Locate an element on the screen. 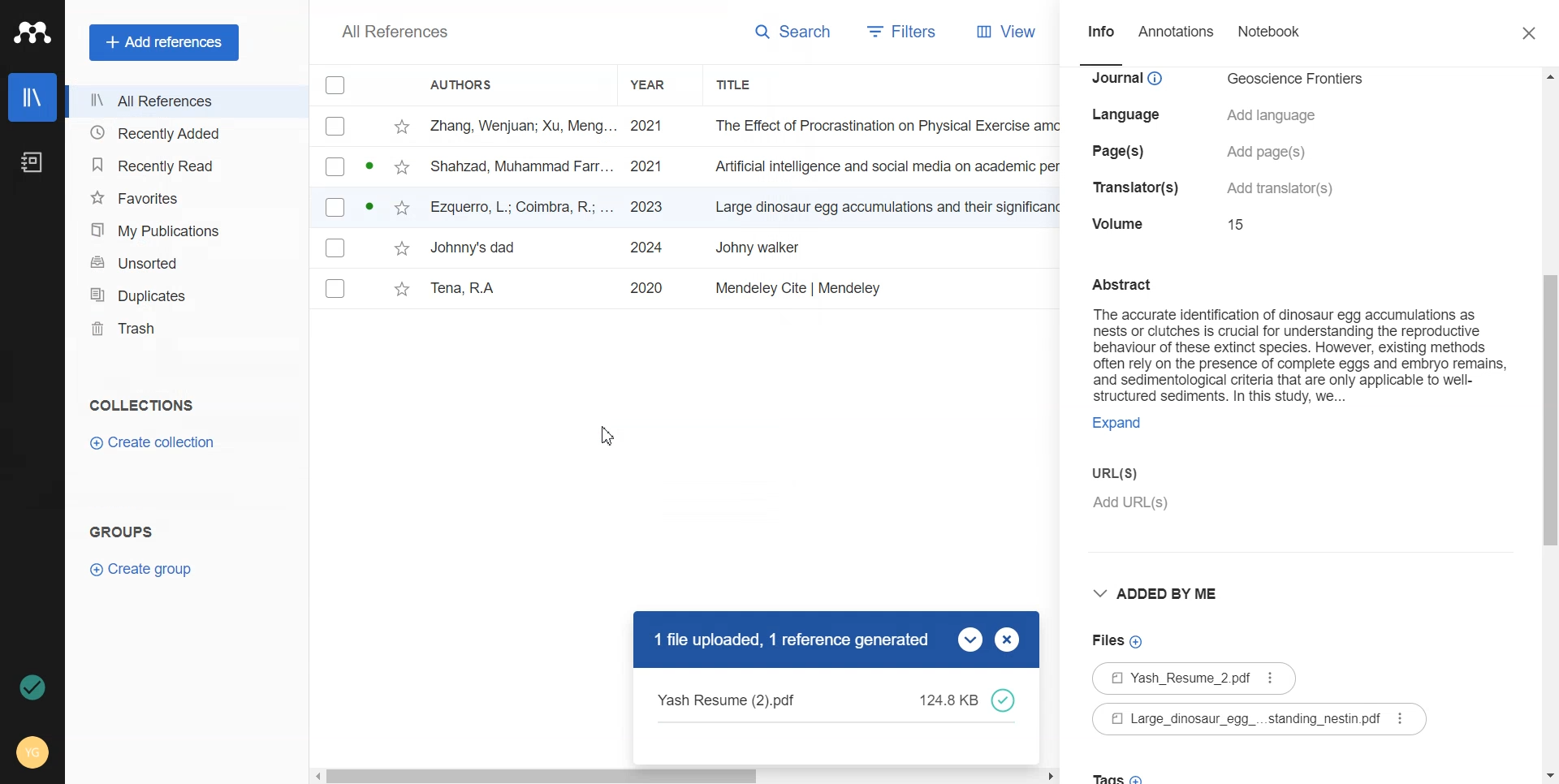 This screenshot has height=784, width=1559. Checkbox is located at coordinates (335, 167).